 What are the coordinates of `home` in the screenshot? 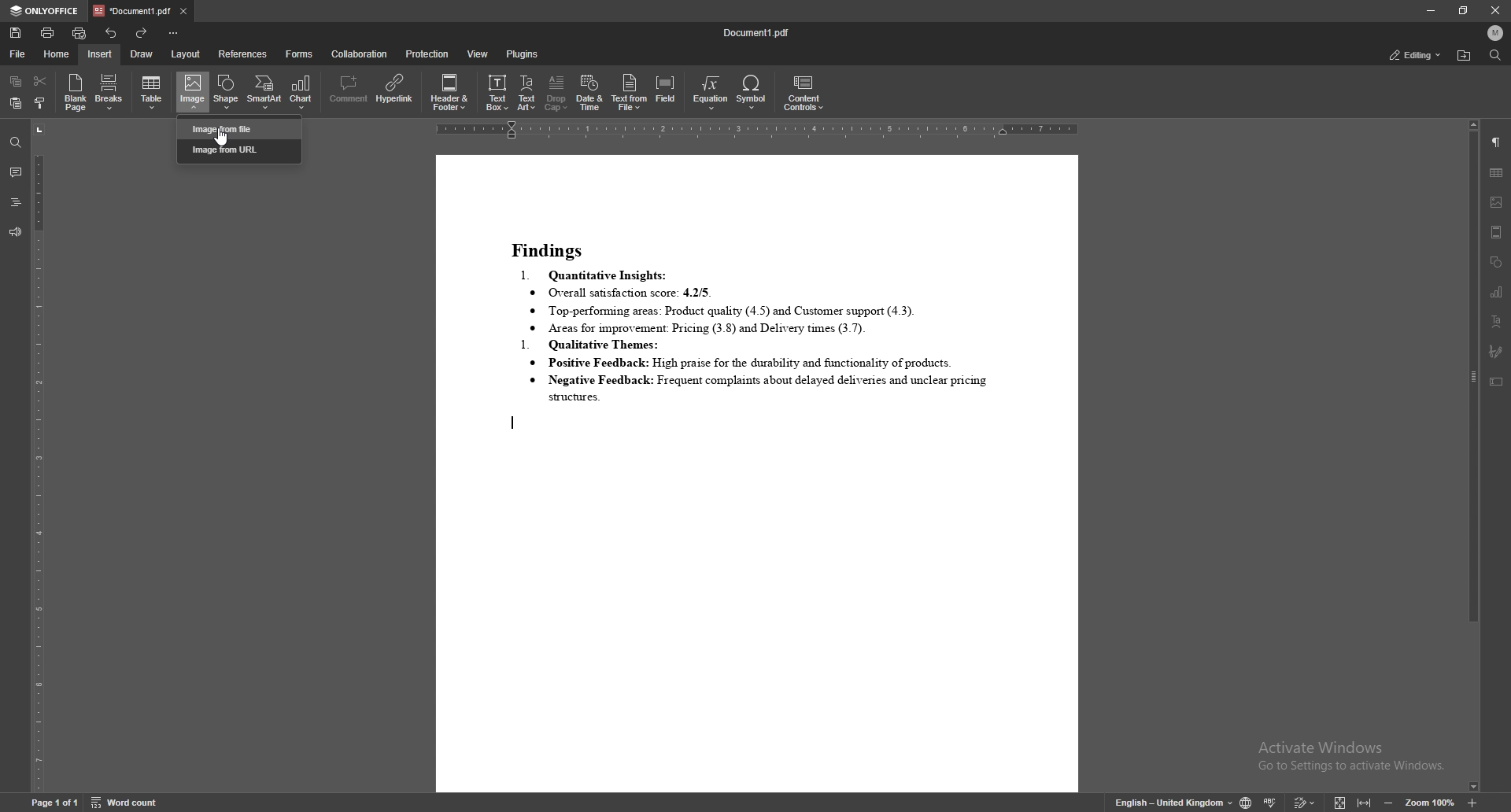 It's located at (57, 54).